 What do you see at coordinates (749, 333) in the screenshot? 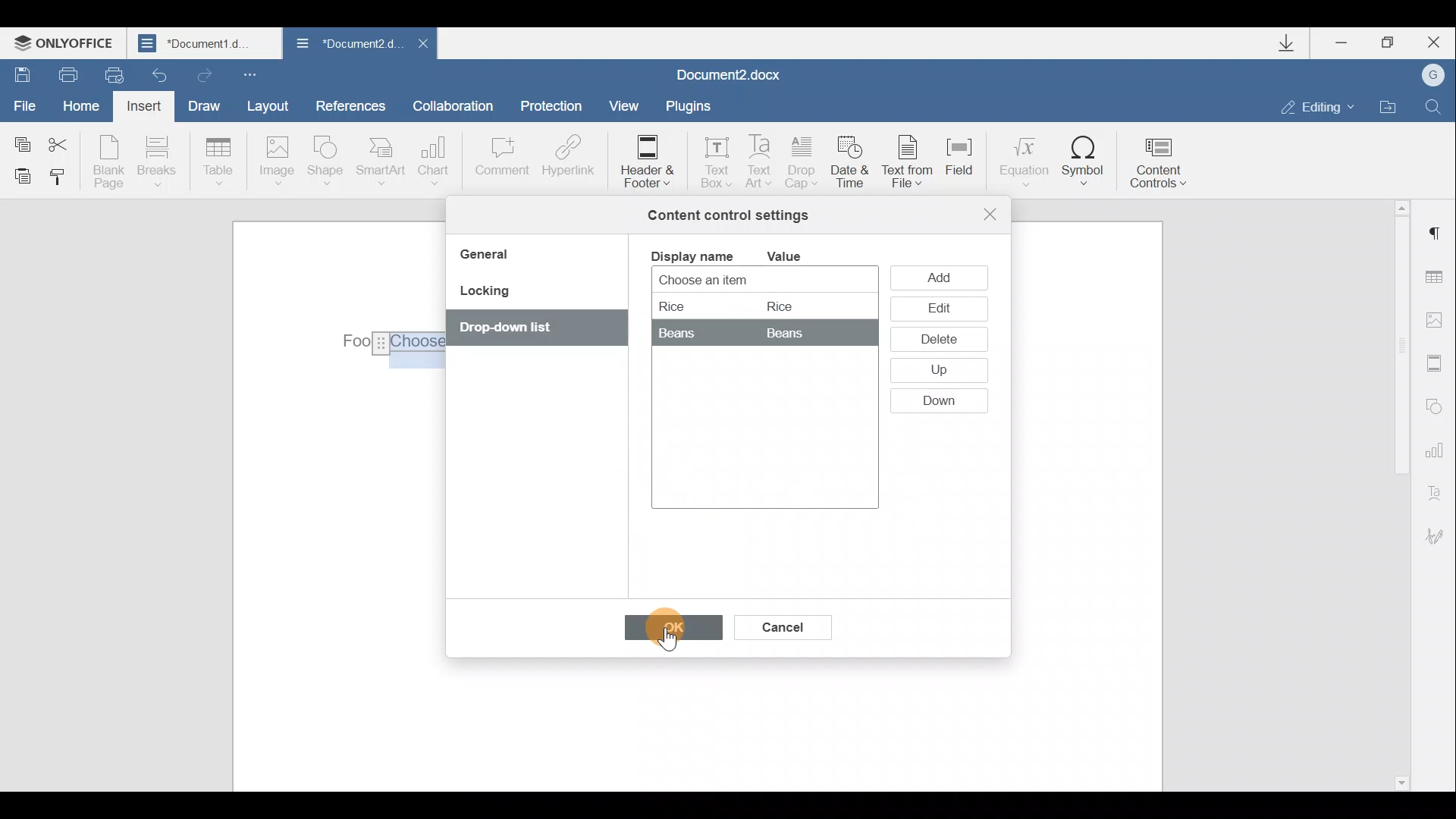
I see `beans` at bounding box center [749, 333].